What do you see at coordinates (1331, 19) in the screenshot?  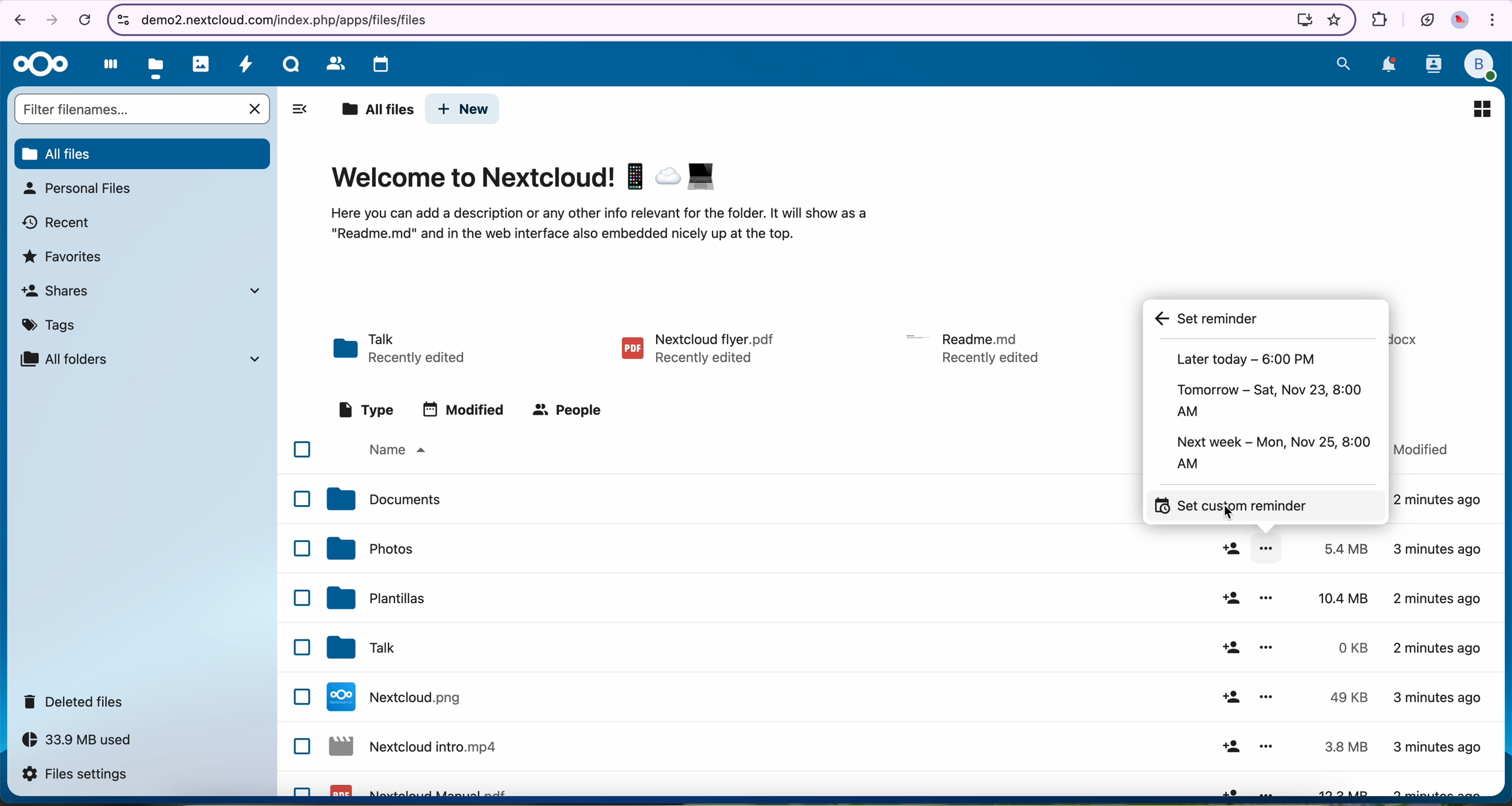 I see `favorites` at bounding box center [1331, 19].